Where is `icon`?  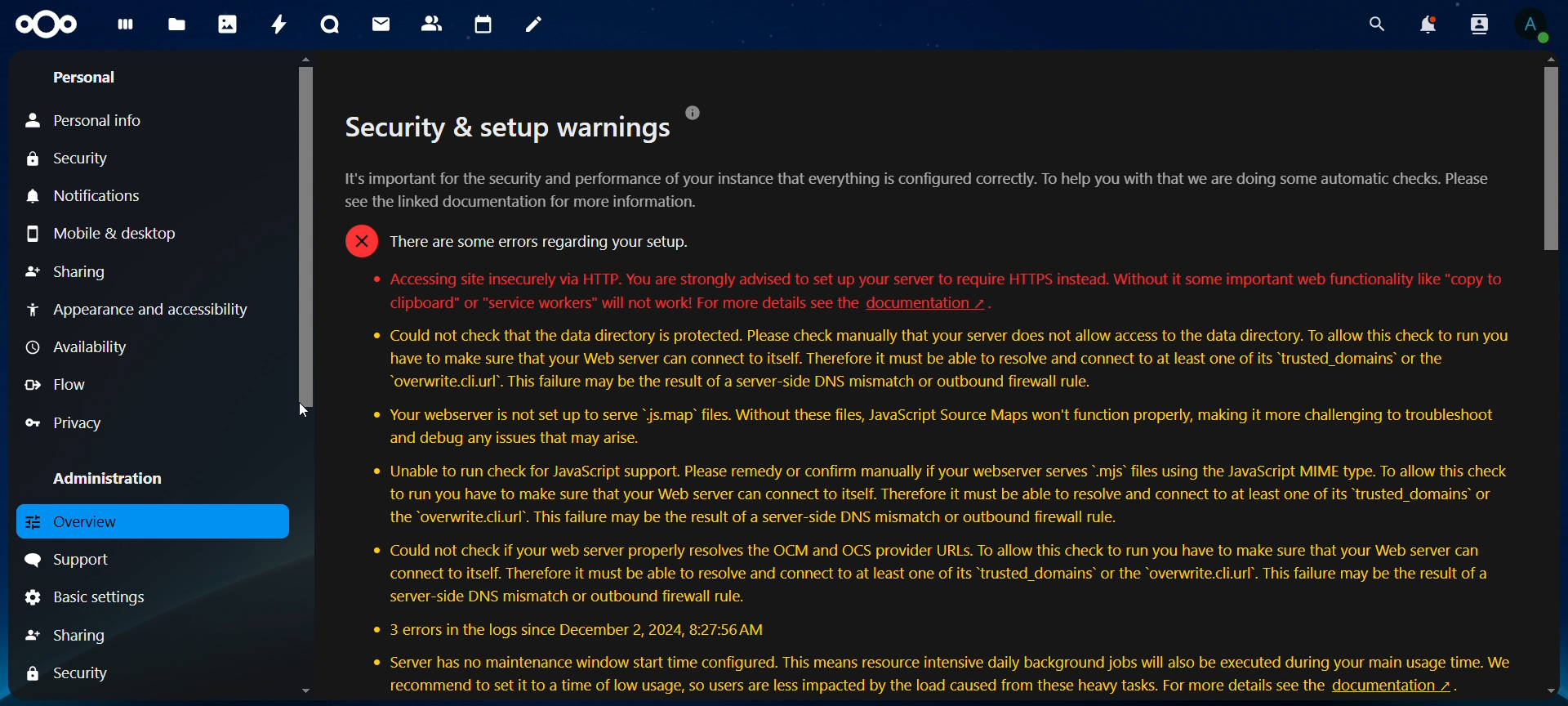 icon is located at coordinates (48, 25).